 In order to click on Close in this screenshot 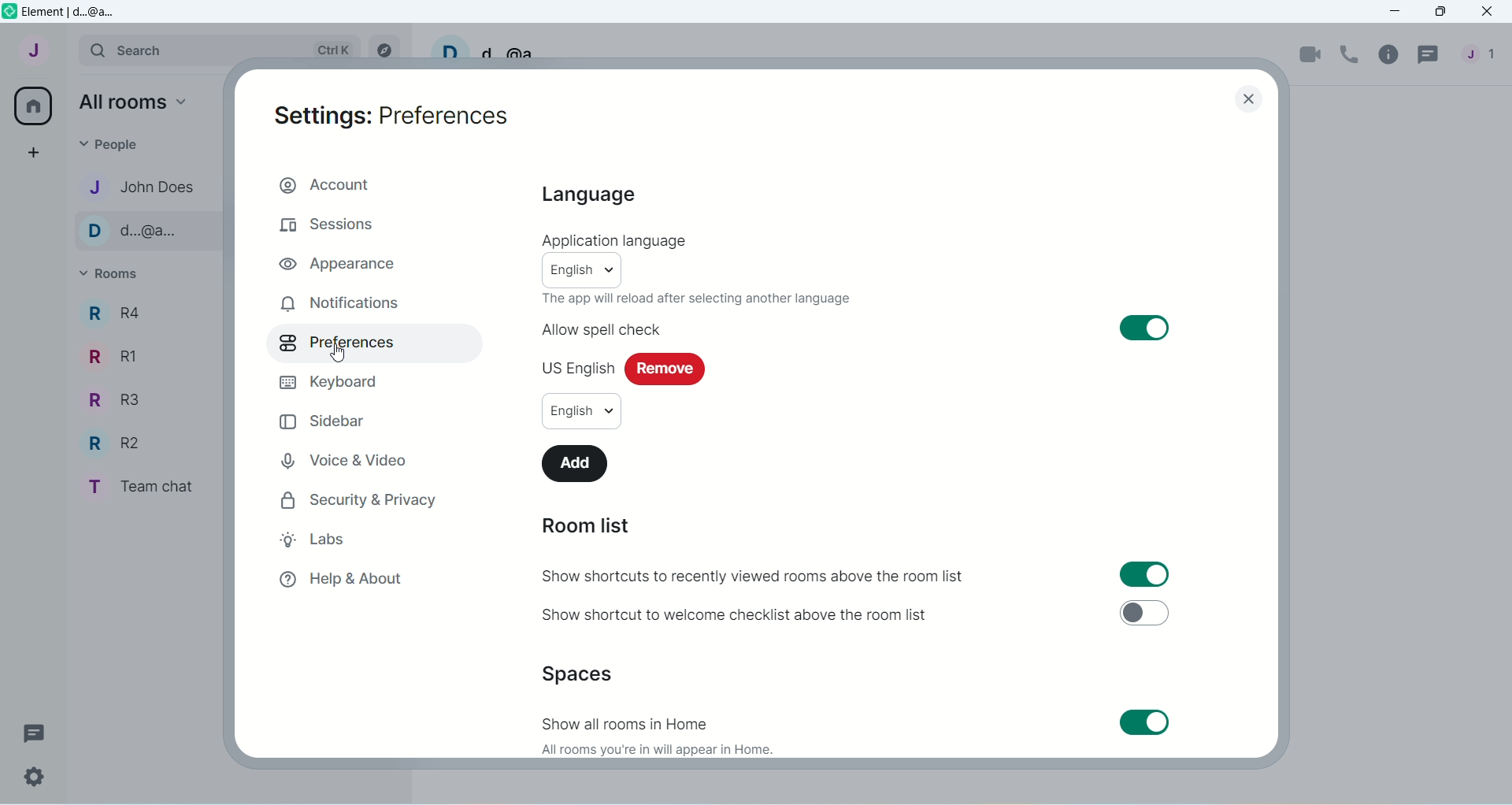, I will do `click(1241, 103)`.